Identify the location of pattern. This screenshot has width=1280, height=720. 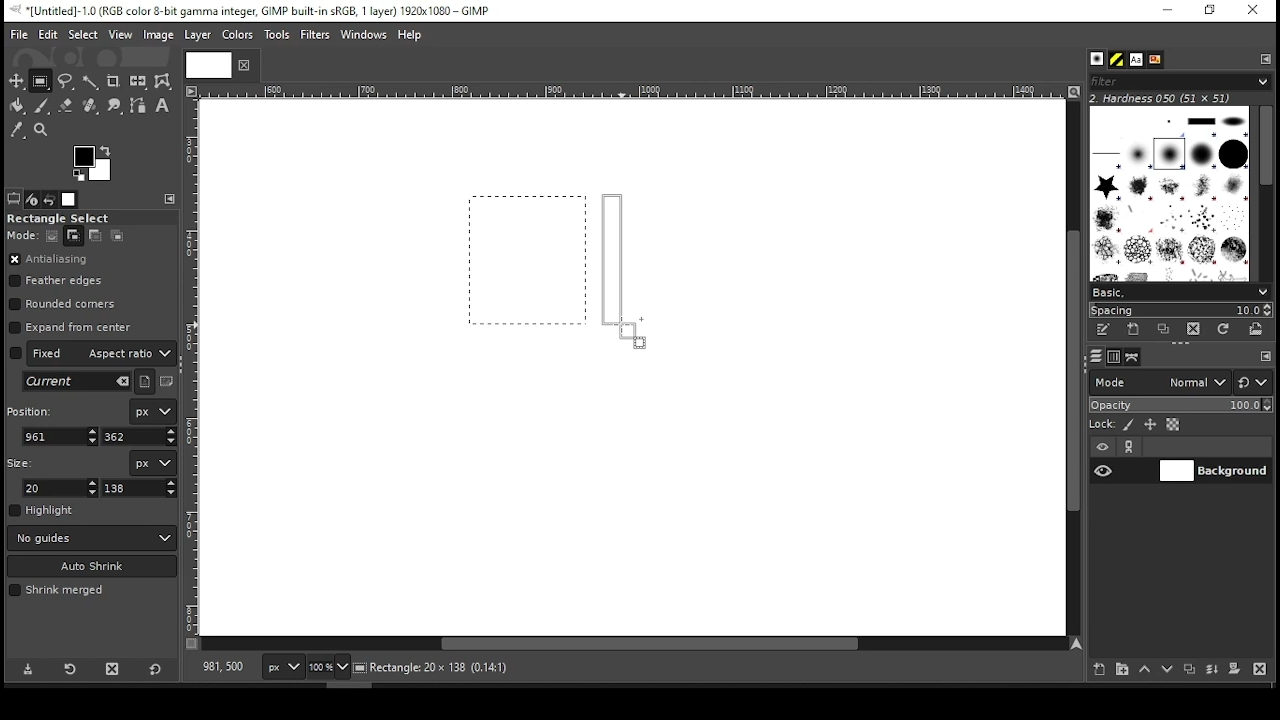
(1117, 60).